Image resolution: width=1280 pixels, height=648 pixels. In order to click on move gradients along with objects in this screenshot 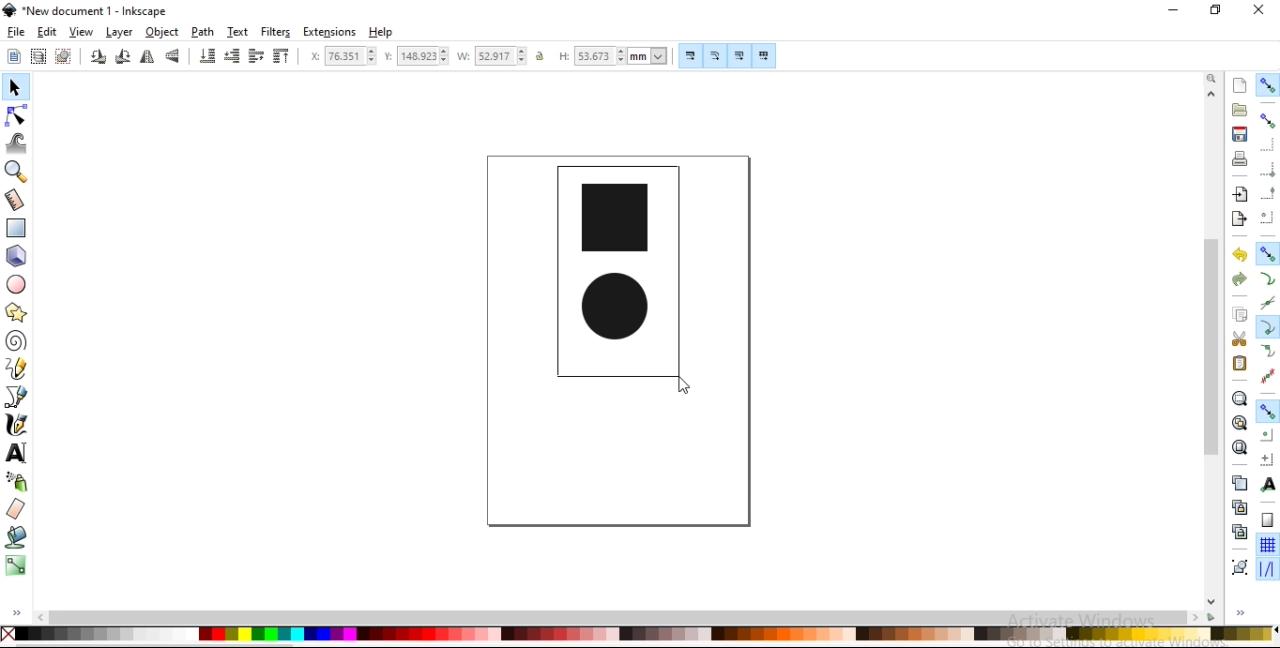, I will do `click(738, 56)`.